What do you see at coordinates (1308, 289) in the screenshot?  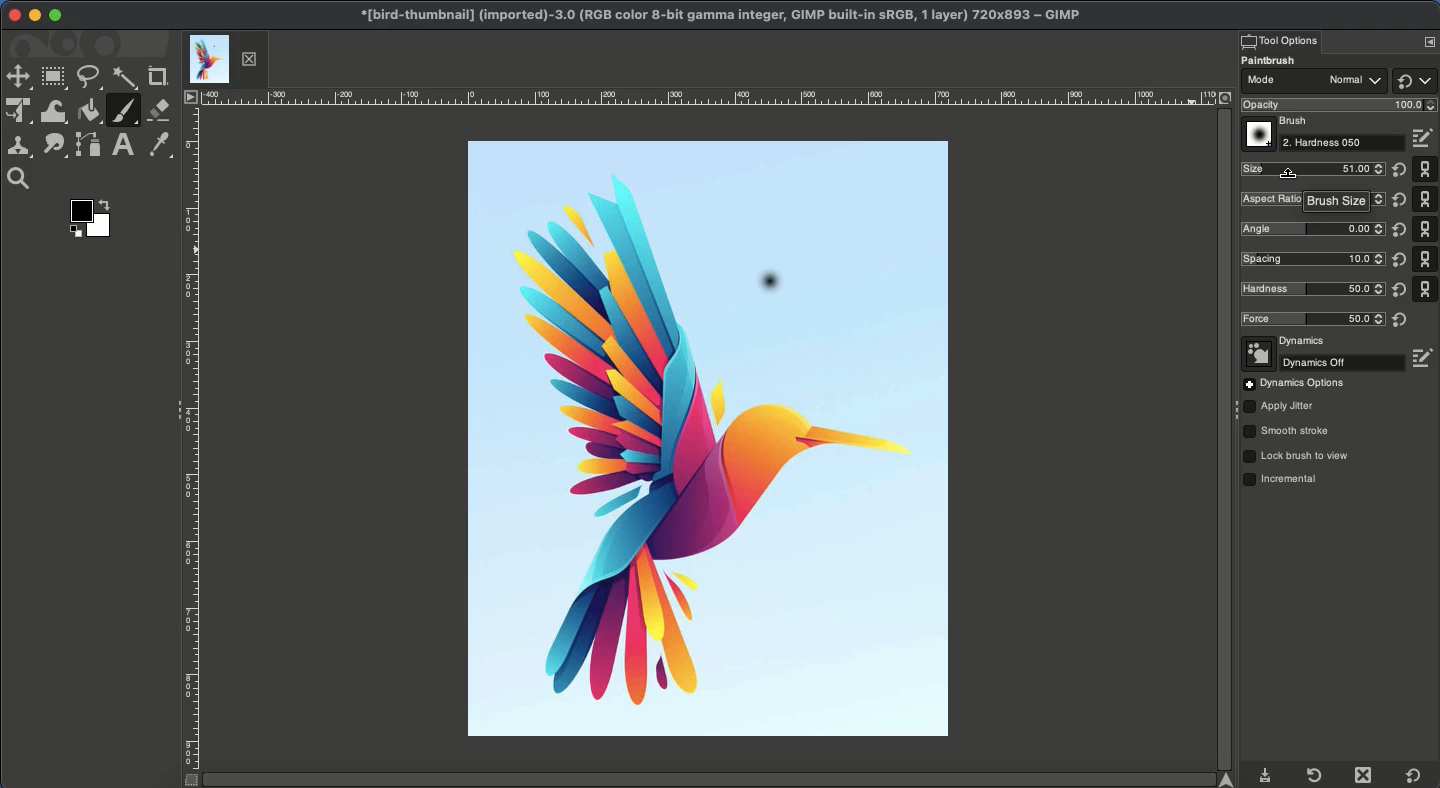 I see `Hardness` at bounding box center [1308, 289].